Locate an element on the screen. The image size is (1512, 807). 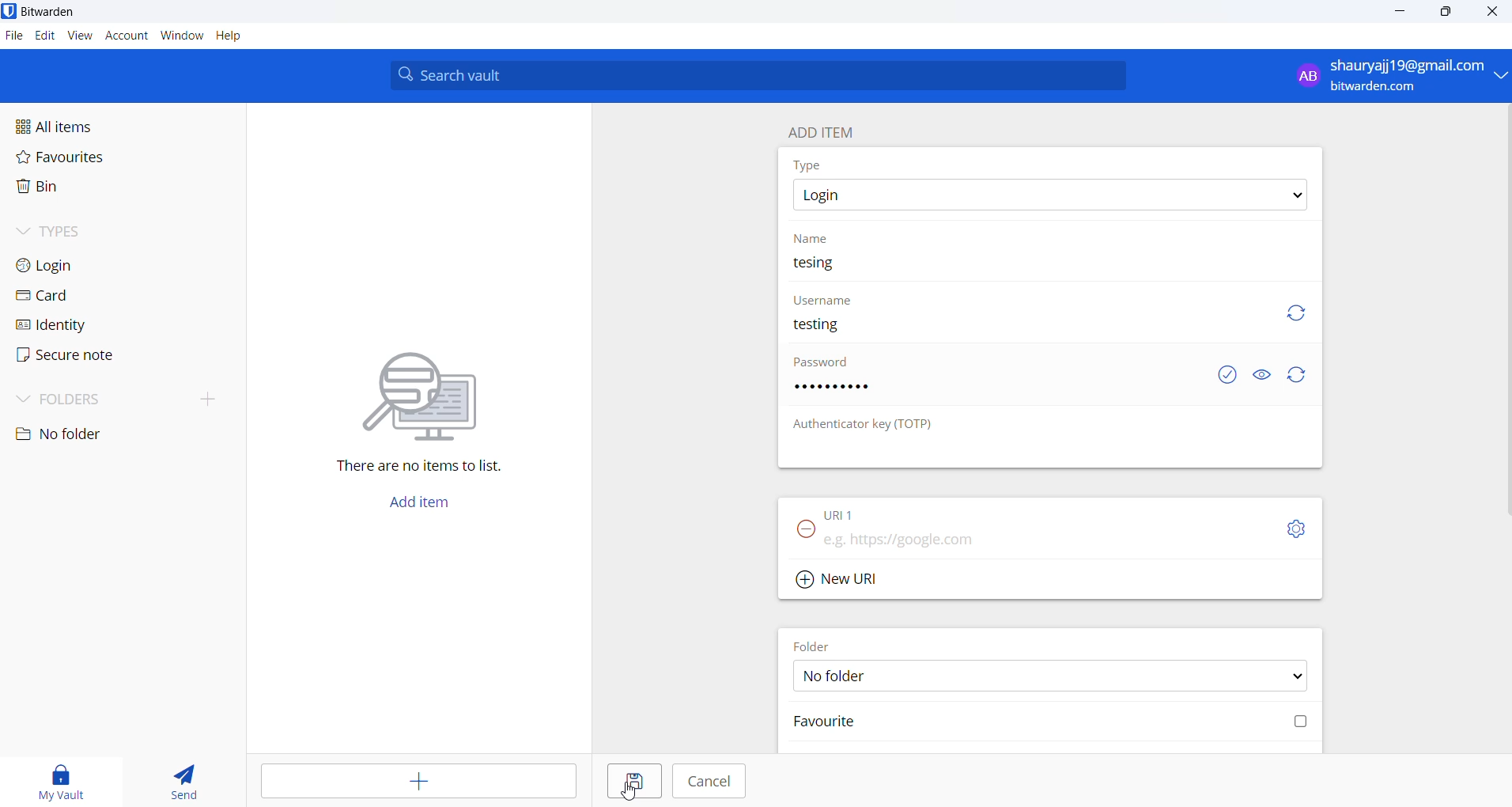
add folder button is located at coordinates (210, 398).